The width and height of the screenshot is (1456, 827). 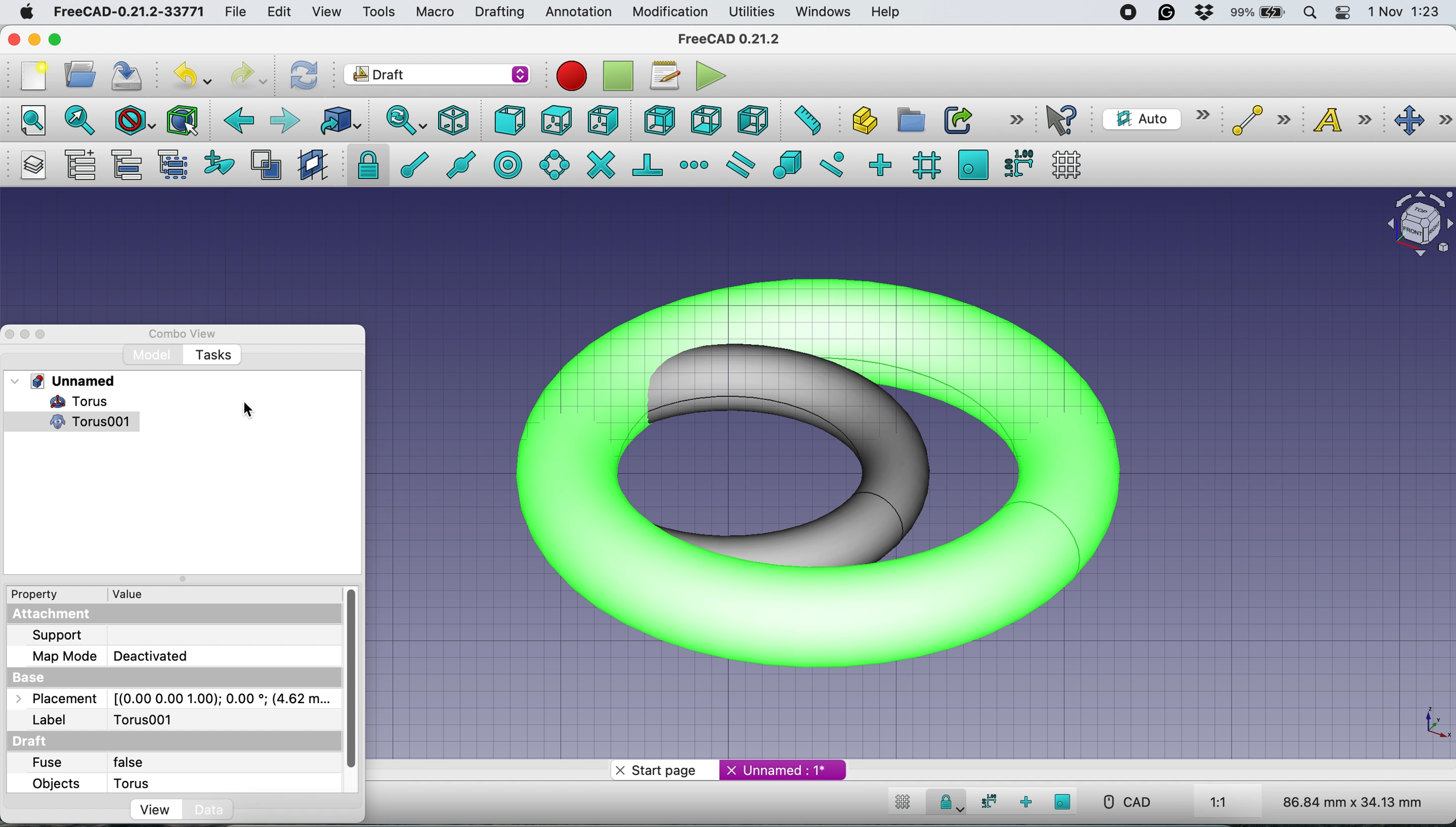 I want to click on Scale, so click(x=1434, y=724).